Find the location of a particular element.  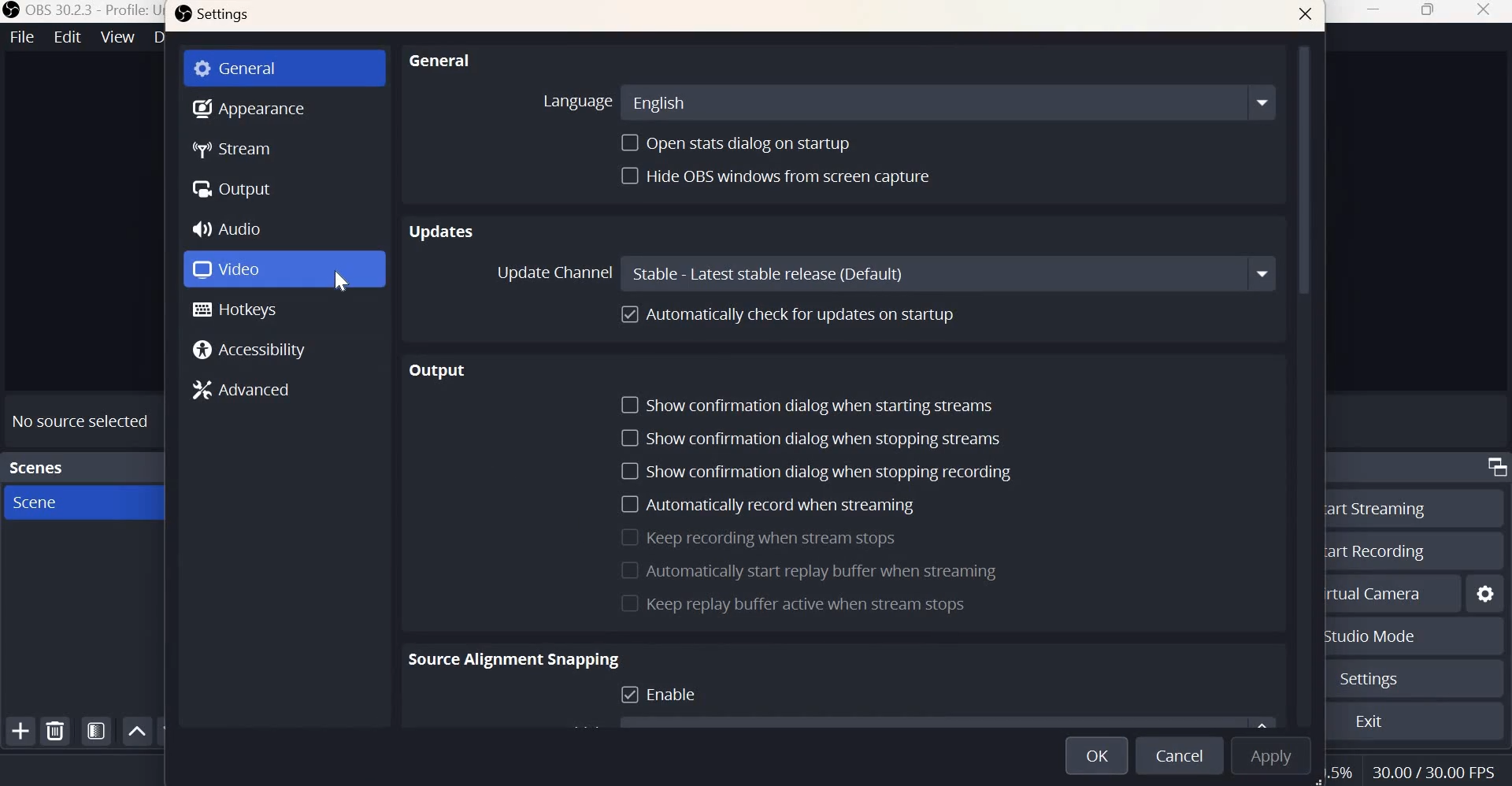

Automatically check for updates on startup is located at coordinates (789, 314).